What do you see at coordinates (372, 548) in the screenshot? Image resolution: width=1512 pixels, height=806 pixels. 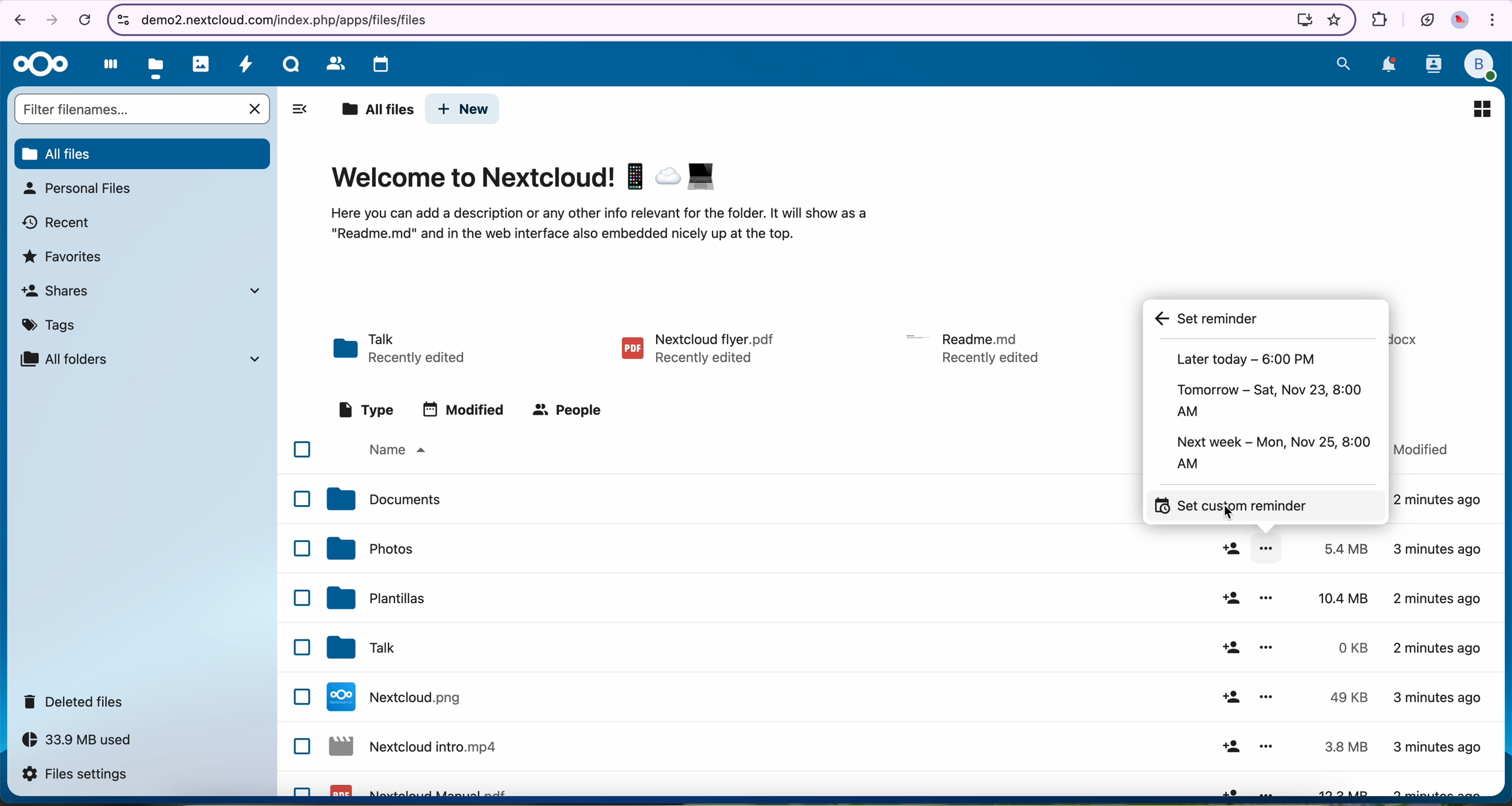 I see `photos` at bounding box center [372, 548].